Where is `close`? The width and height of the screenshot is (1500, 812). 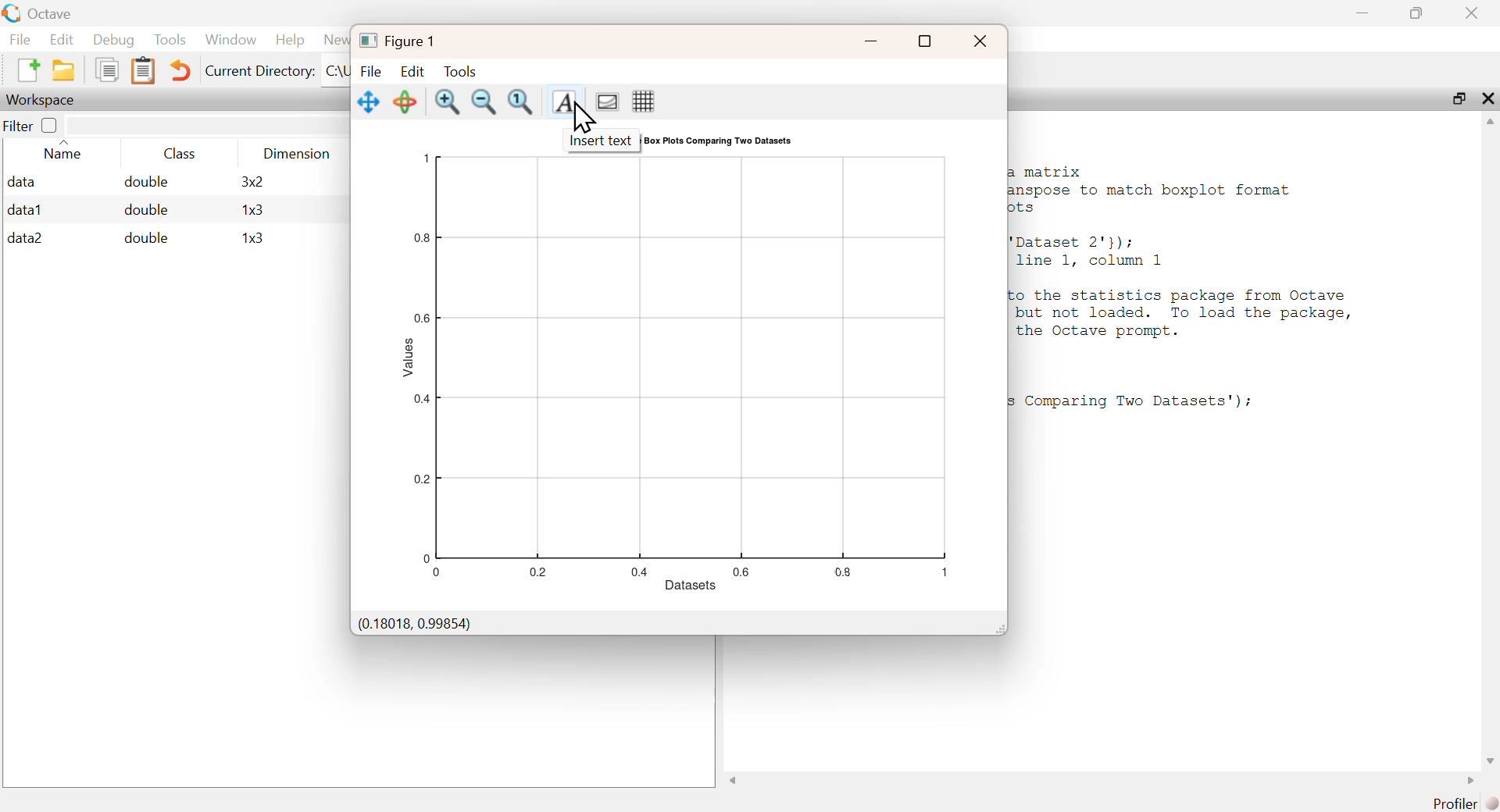
close is located at coordinates (1488, 98).